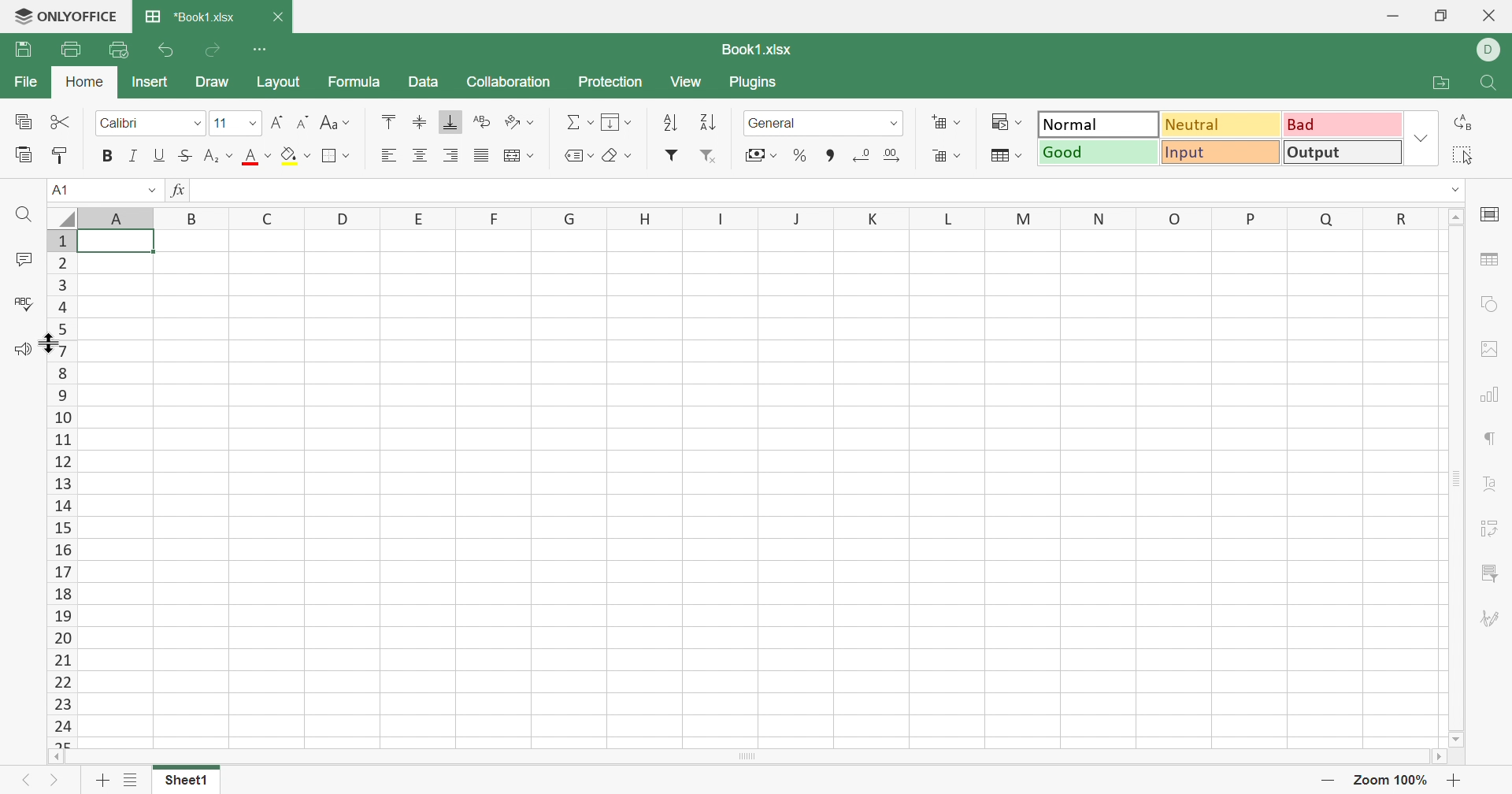 The width and height of the screenshot is (1512, 794). Describe the element at coordinates (70, 50) in the screenshot. I see `Print` at that location.